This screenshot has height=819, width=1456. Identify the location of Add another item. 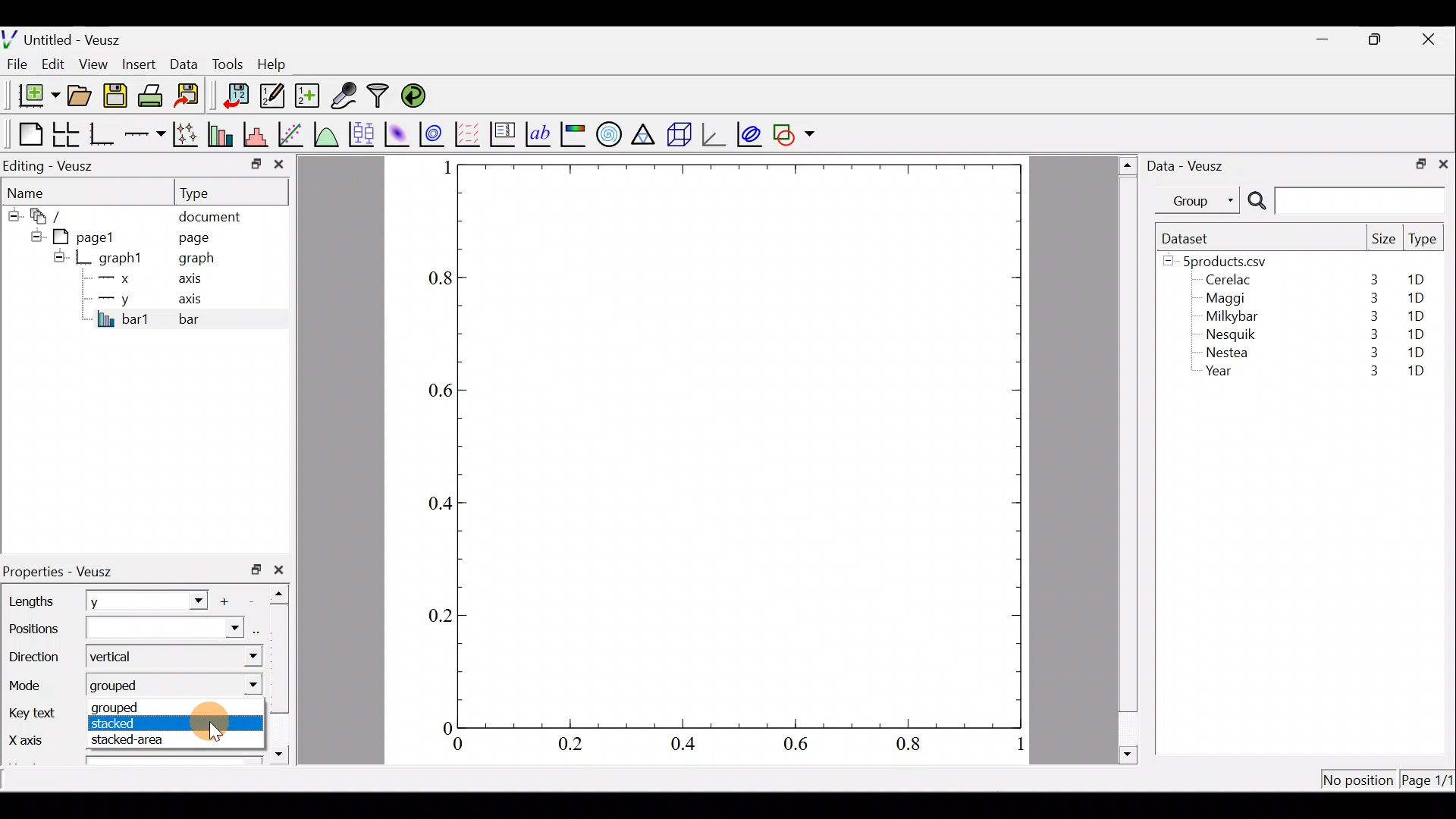
(229, 601).